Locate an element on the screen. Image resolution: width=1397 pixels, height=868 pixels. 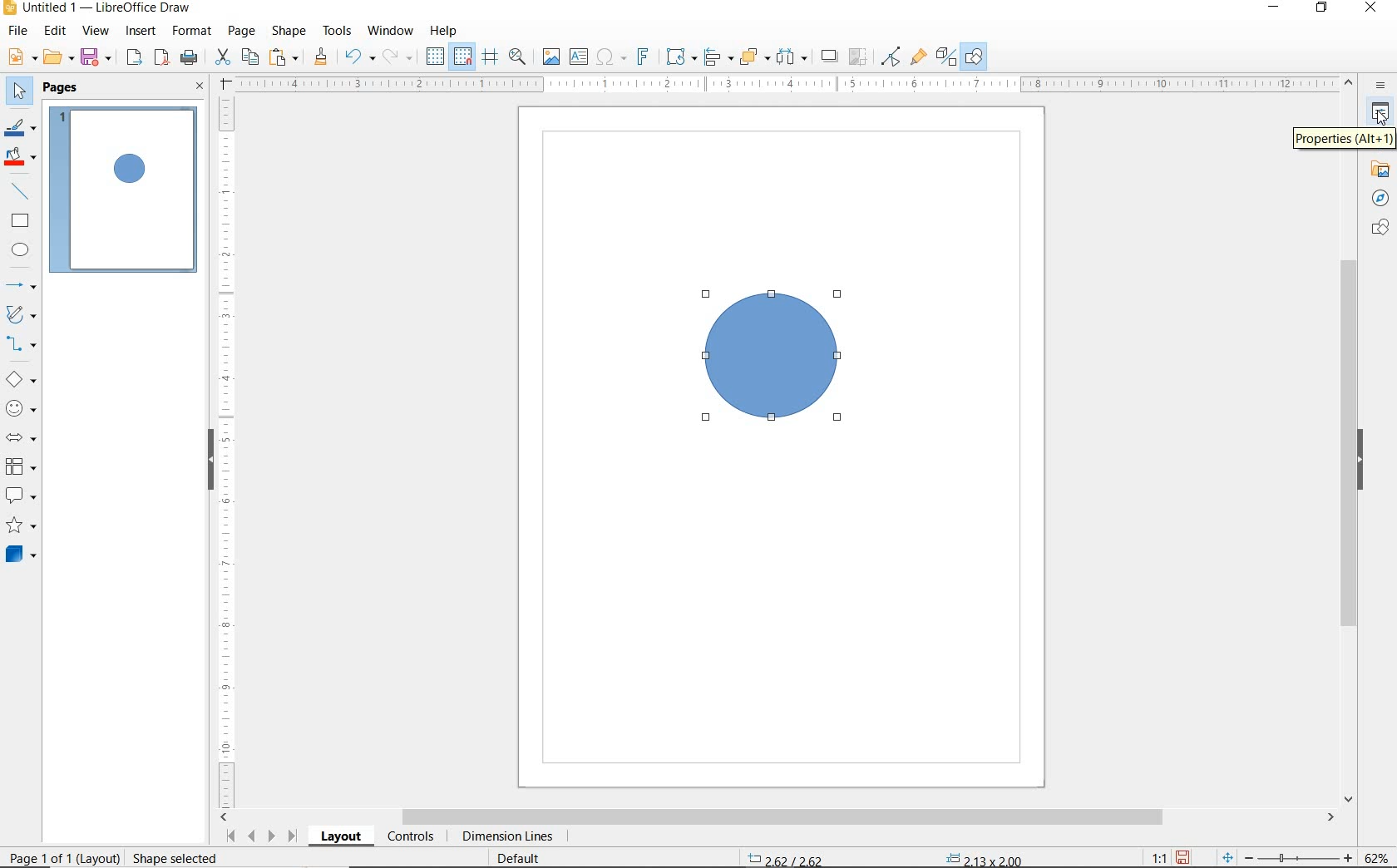
UNDO is located at coordinates (358, 57).